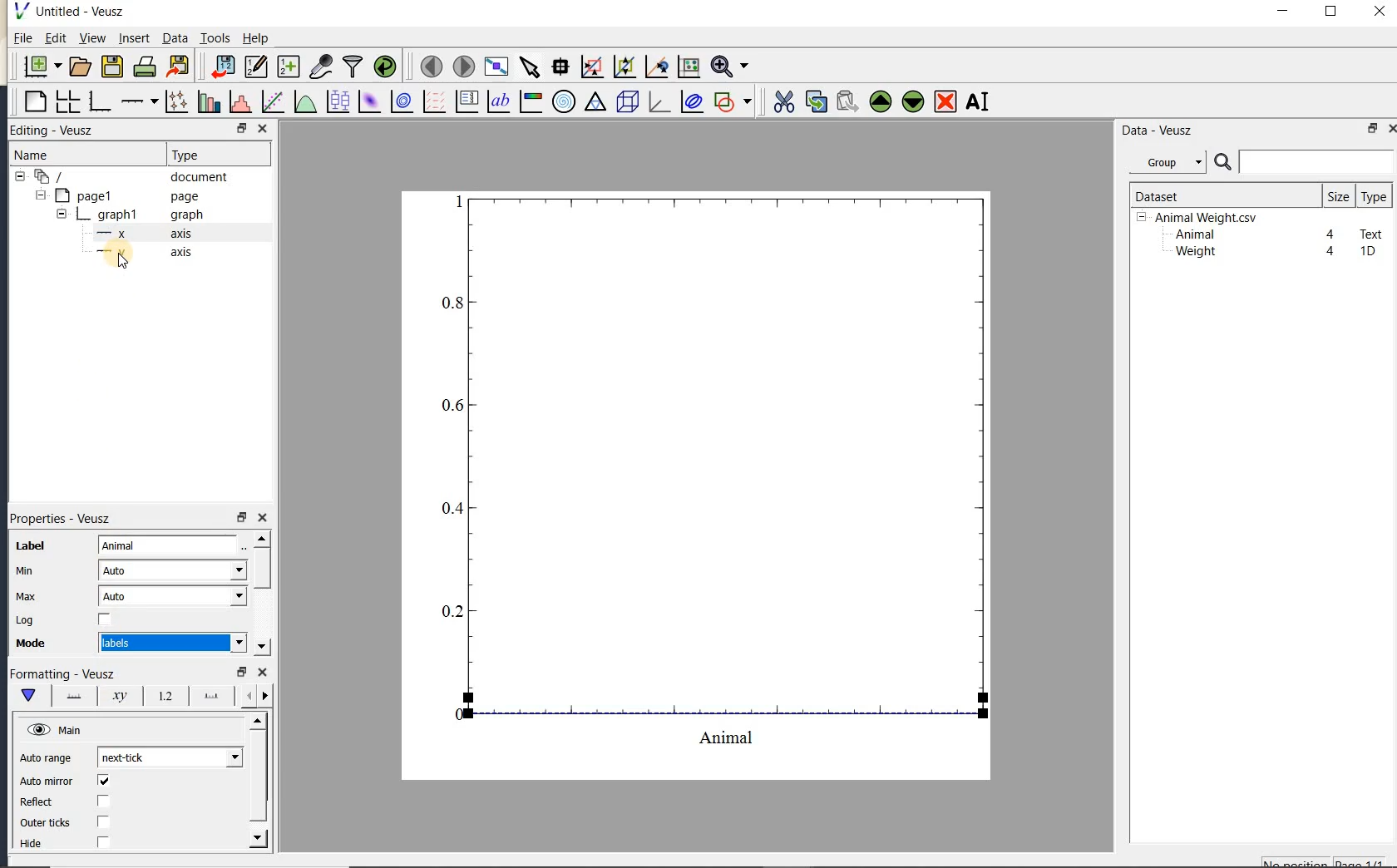  What do you see at coordinates (208, 695) in the screenshot?
I see `major ticks` at bounding box center [208, 695].